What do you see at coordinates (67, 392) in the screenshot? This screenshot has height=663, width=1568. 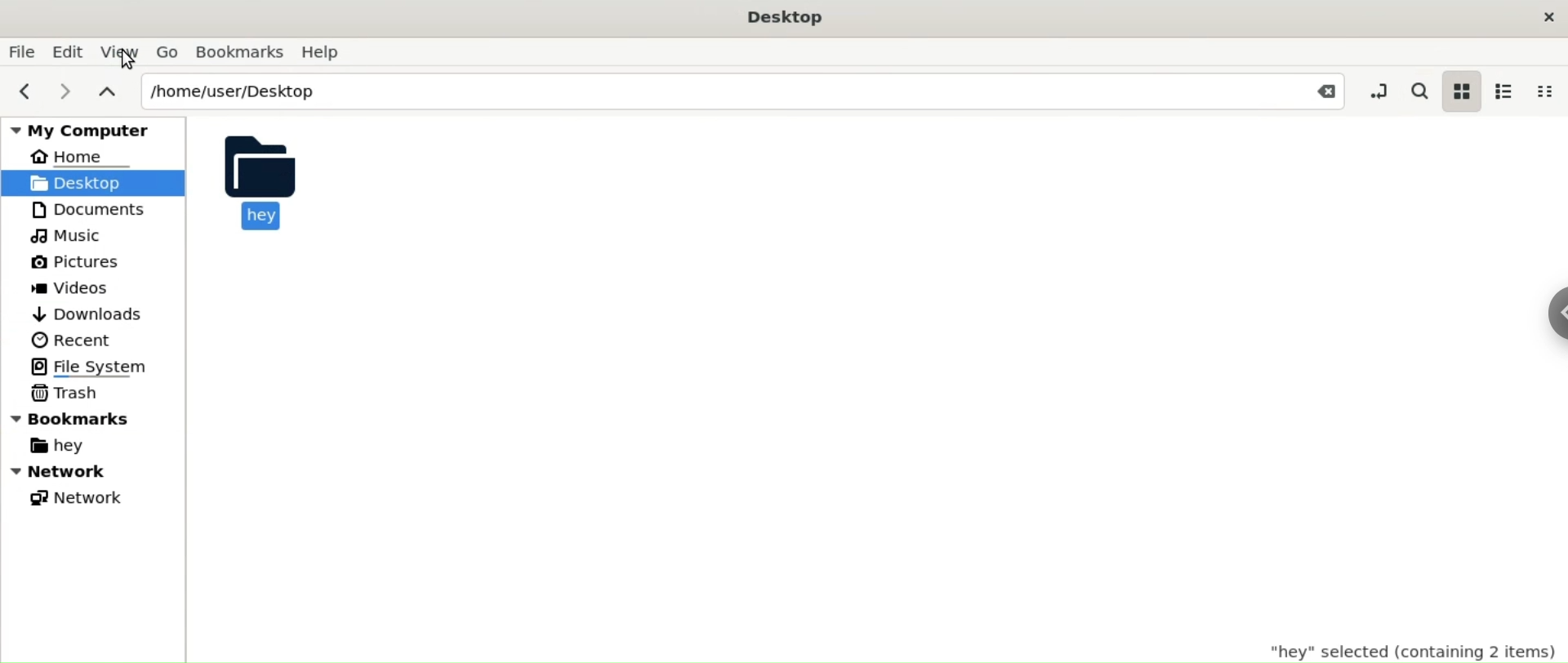 I see `Trash` at bounding box center [67, 392].